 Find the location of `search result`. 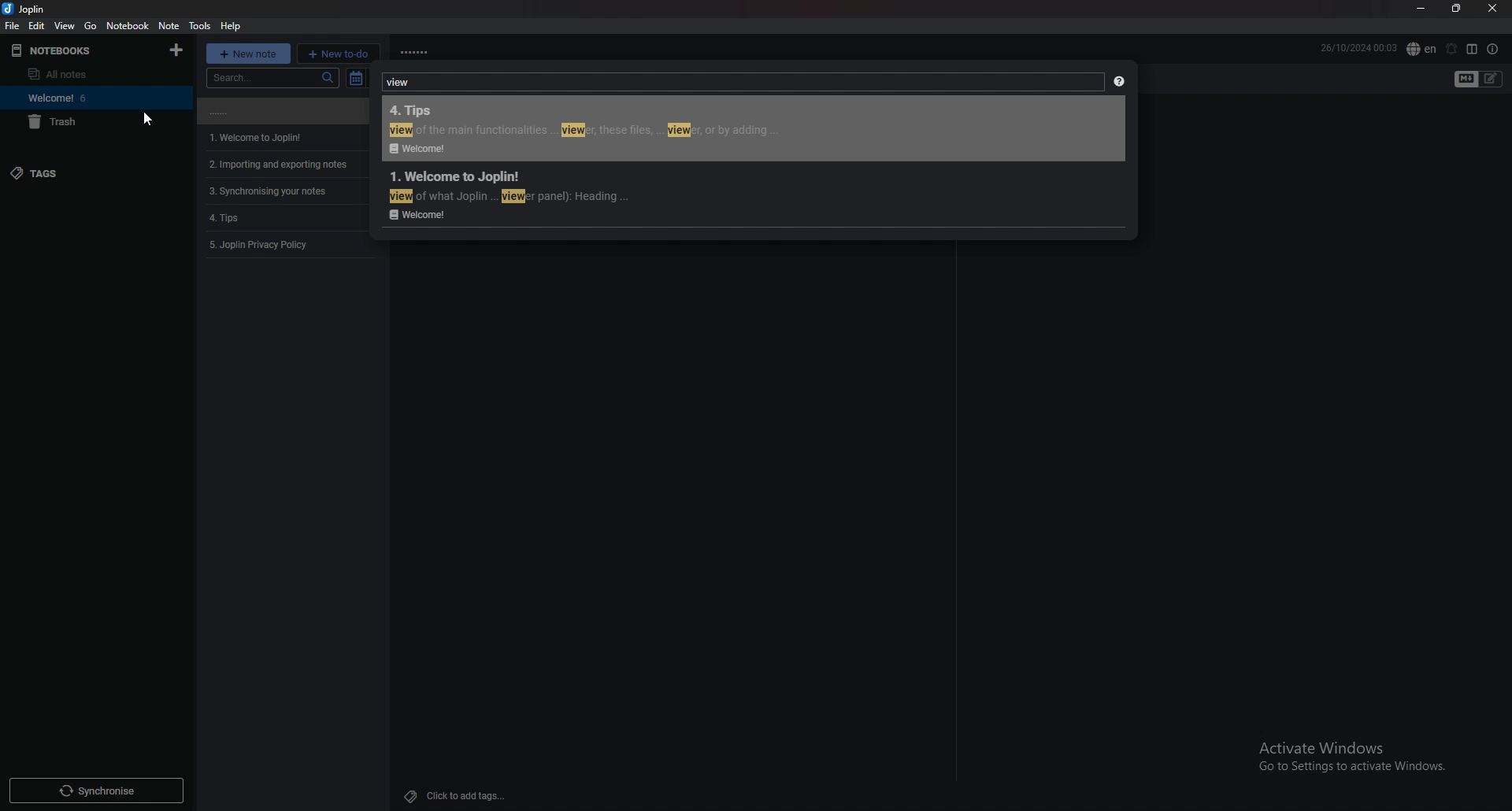

search result is located at coordinates (751, 195).